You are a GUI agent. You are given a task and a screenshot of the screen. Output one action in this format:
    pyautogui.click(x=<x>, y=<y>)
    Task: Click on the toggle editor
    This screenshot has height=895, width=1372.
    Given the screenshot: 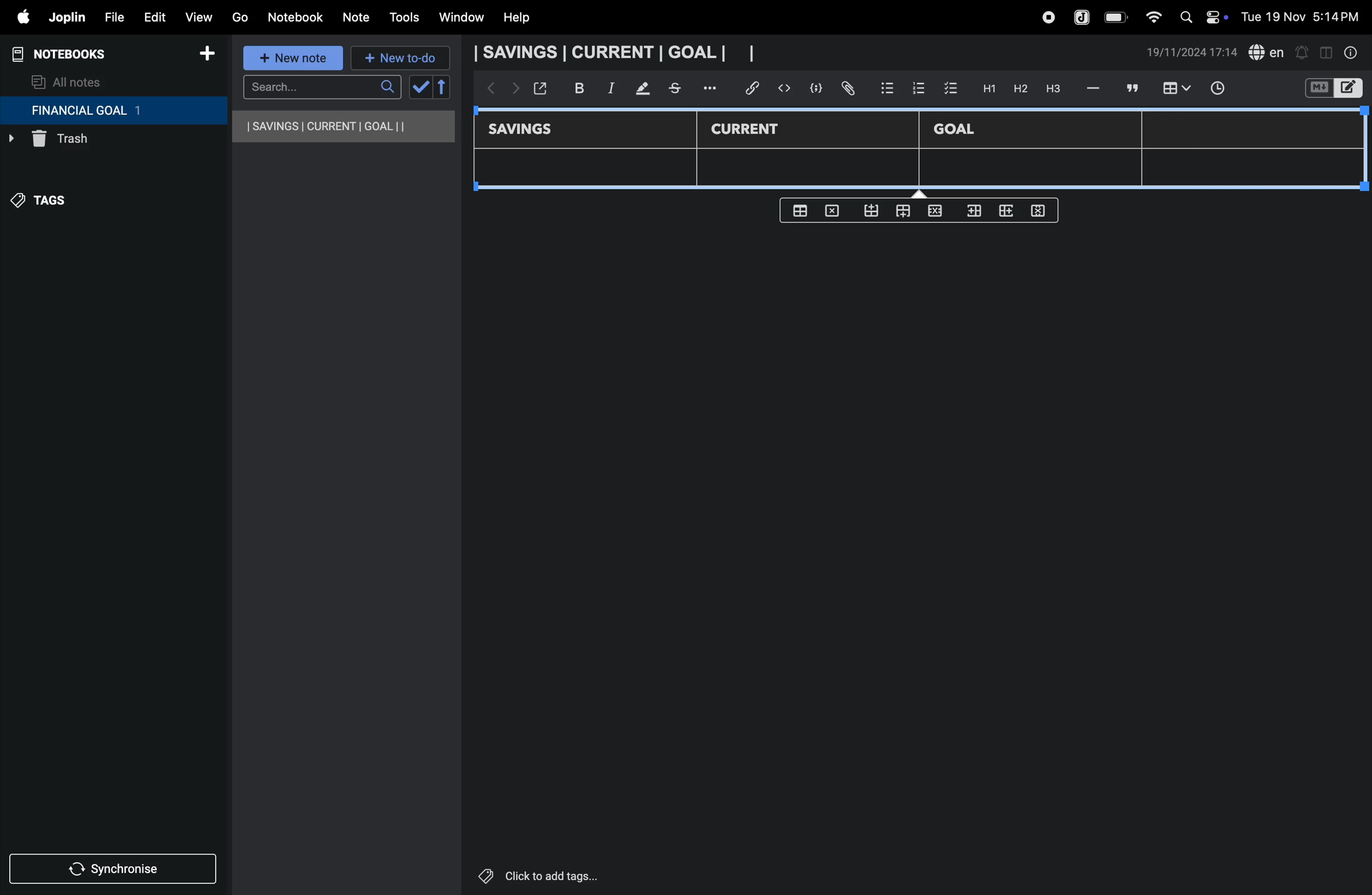 What is the action you would take?
    pyautogui.click(x=1326, y=51)
    